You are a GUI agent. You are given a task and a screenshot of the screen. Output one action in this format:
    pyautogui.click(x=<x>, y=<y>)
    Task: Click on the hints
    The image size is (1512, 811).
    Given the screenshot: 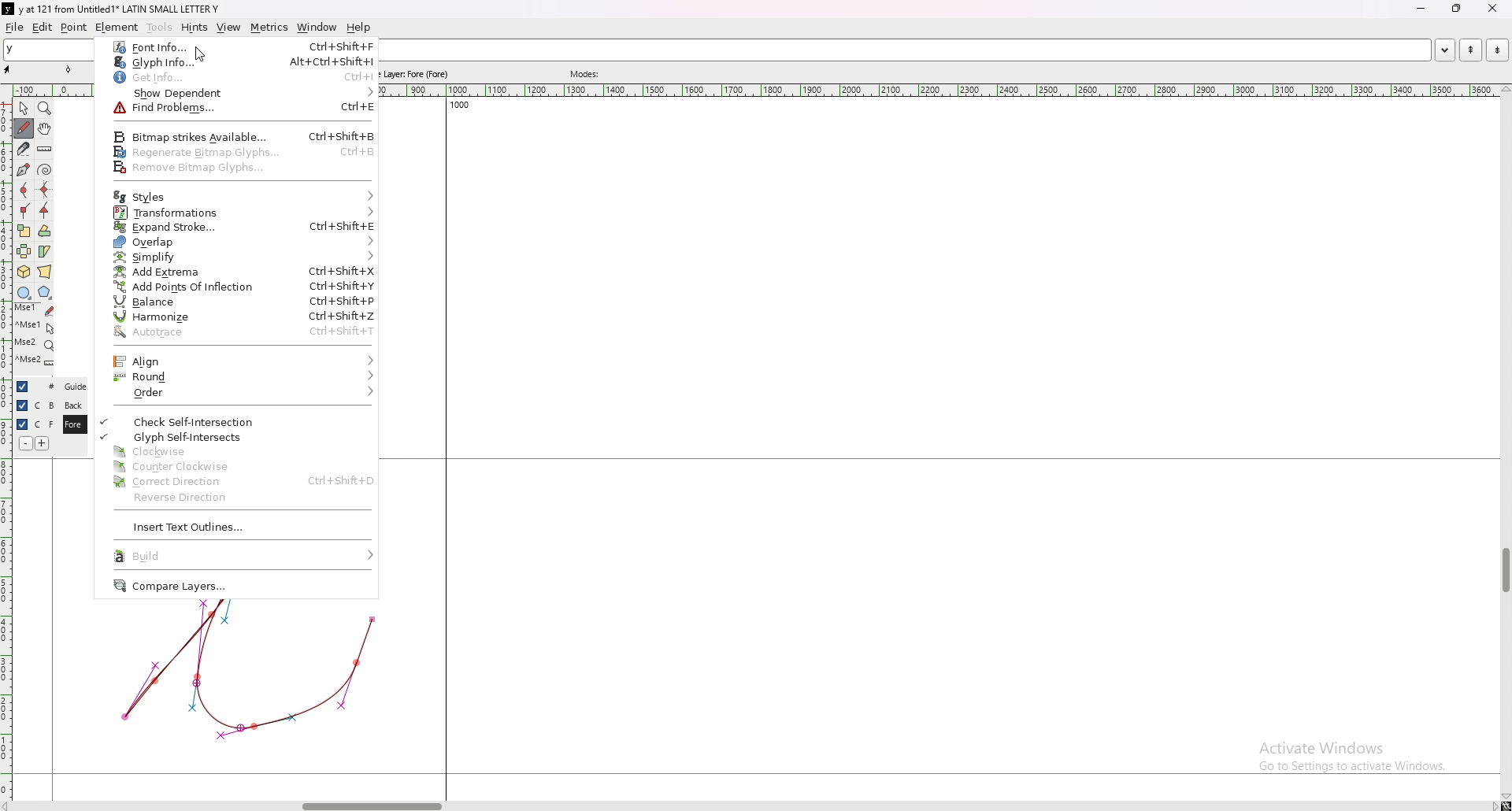 What is the action you would take?
    pyautogui.click(x=193, y=28)
    